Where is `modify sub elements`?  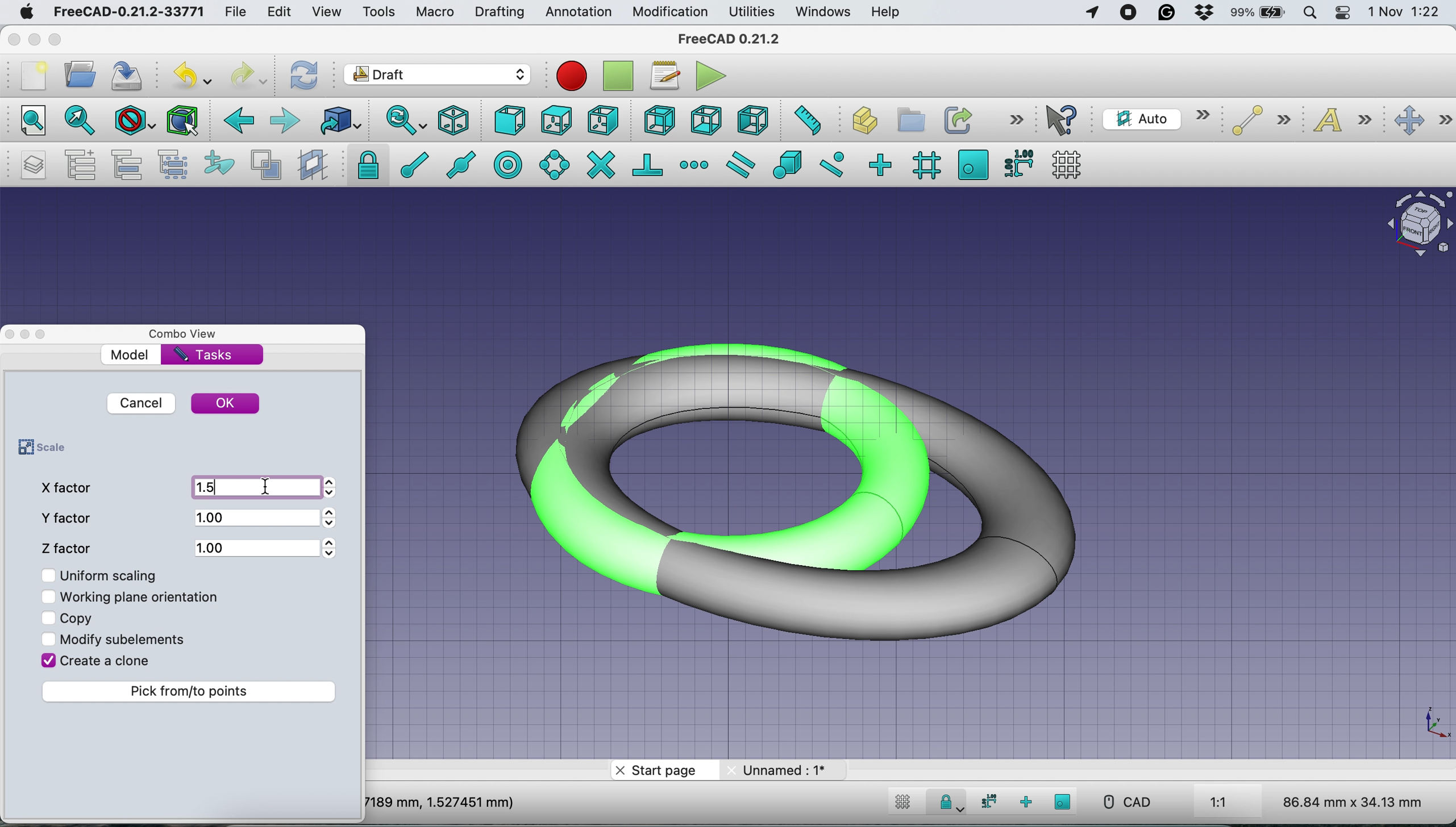
modify sub elements is located at coordinates (131, 637).